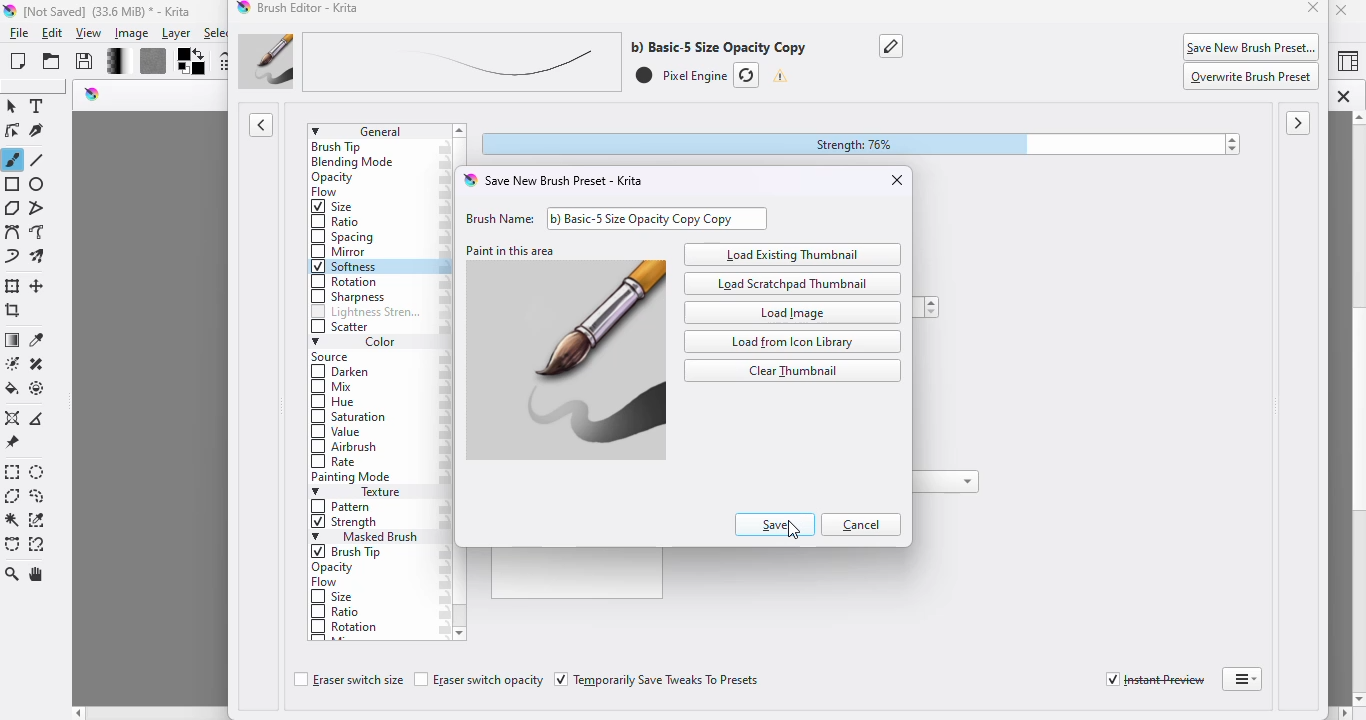  What do you see at coordinates (350, 552) in the screenshot?
I see `brush tip` at bounding box center [350, 552].